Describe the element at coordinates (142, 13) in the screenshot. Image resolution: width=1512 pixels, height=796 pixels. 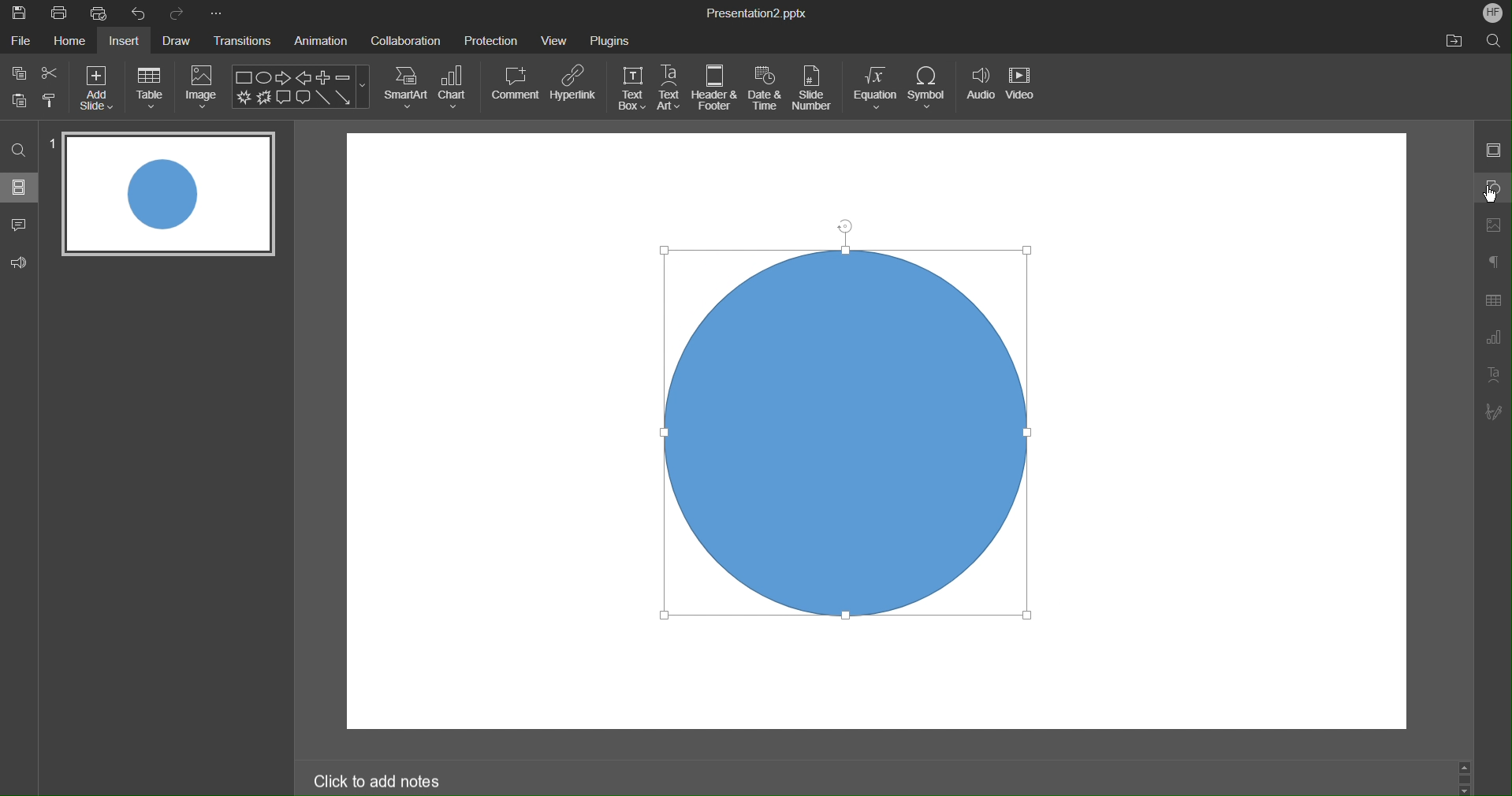
I see `Undo` at that location.